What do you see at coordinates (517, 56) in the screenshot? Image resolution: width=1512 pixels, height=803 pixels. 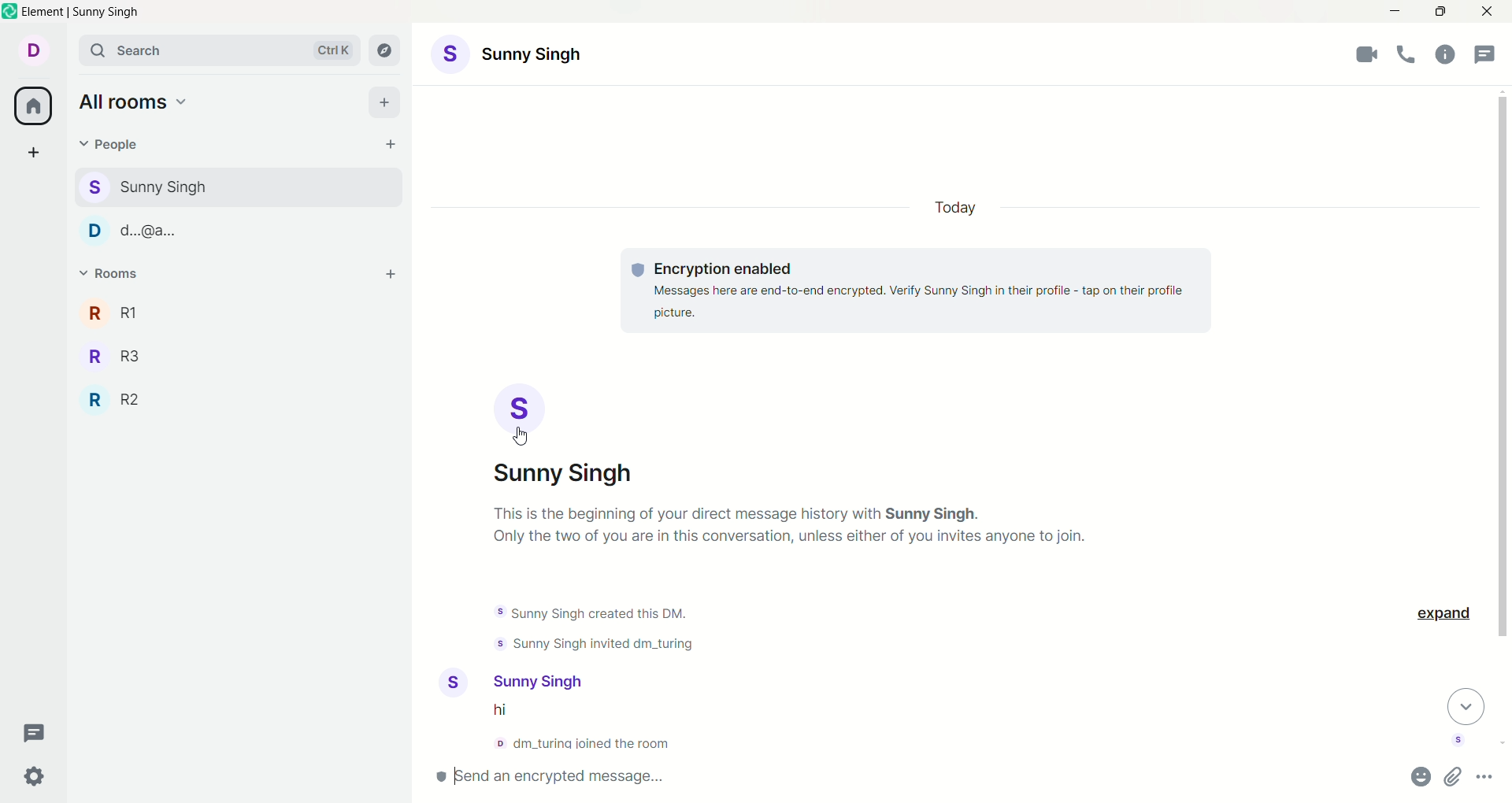 I see `account` at bounding box center [517, 56].